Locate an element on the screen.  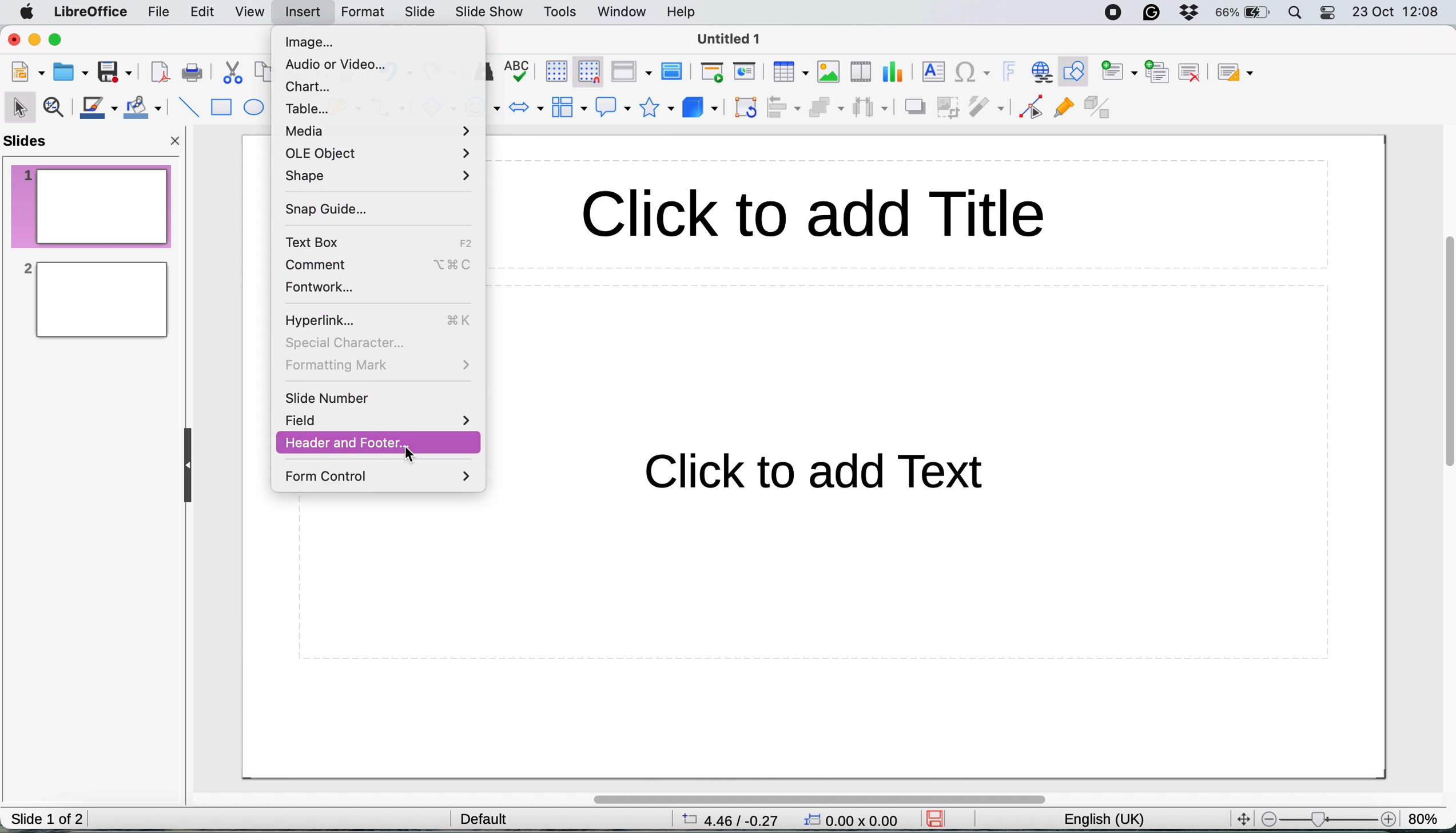
insert fontwork text is located at coordinates (1009, 72).